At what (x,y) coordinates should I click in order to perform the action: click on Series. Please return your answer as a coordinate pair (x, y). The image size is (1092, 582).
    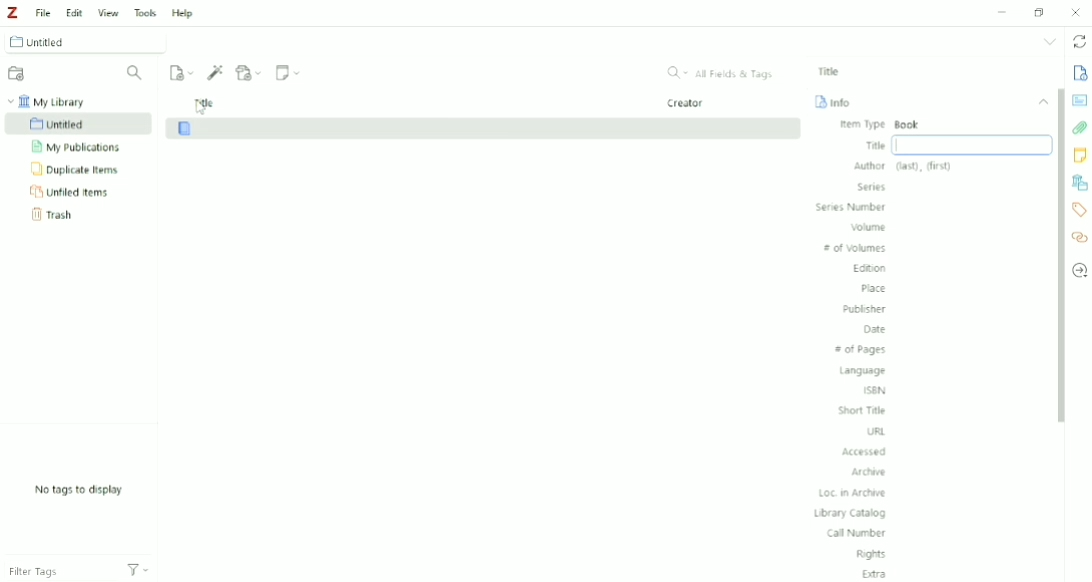
    Looking at the image, I should click on (874, 187).